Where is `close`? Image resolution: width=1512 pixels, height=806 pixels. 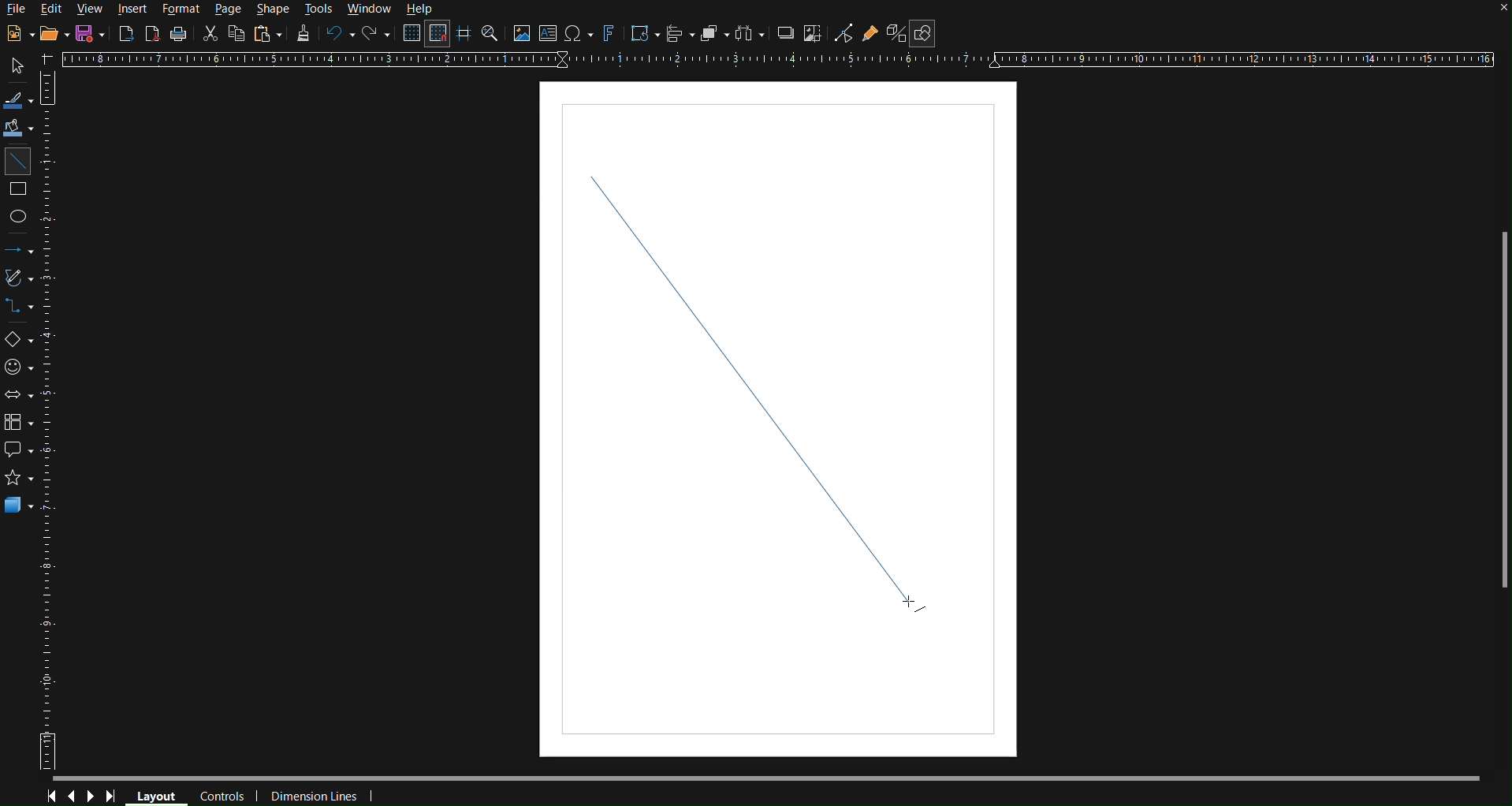 close is located at coordinates (1497, 11).